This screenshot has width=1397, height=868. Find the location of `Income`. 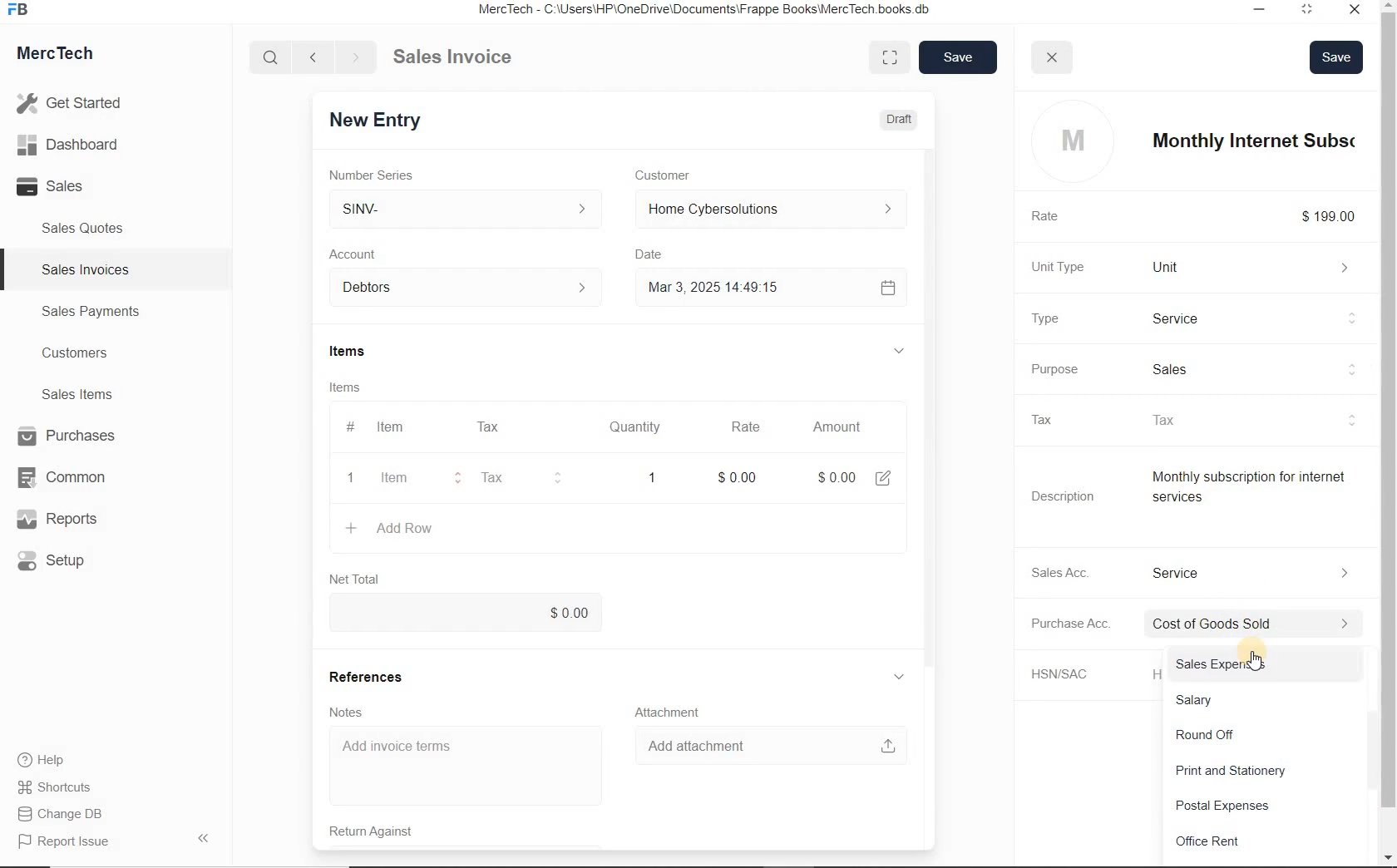

Income is located at coordinates (1264, 572).